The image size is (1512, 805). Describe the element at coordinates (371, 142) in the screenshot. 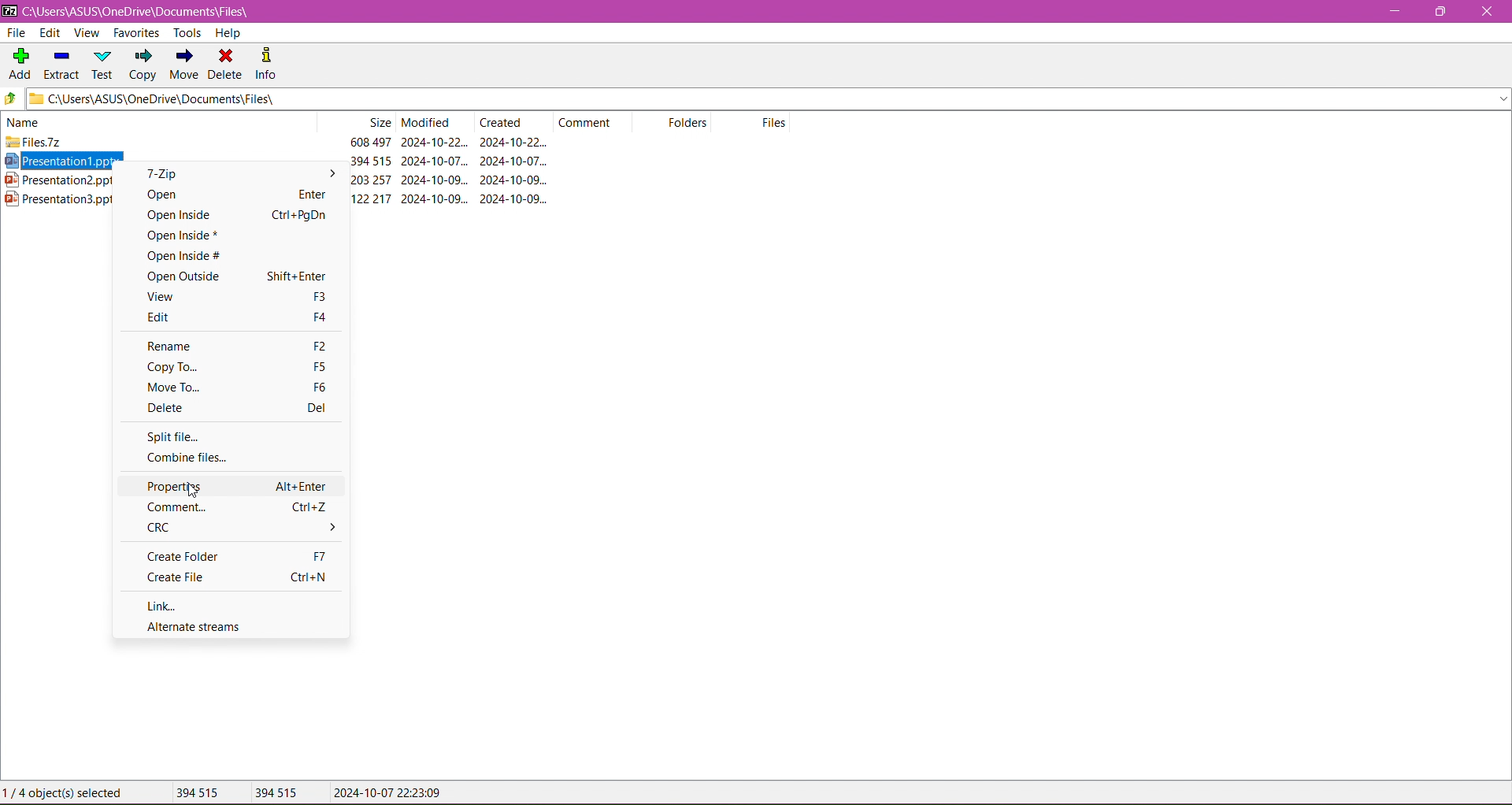

I see `608 497` at that location.